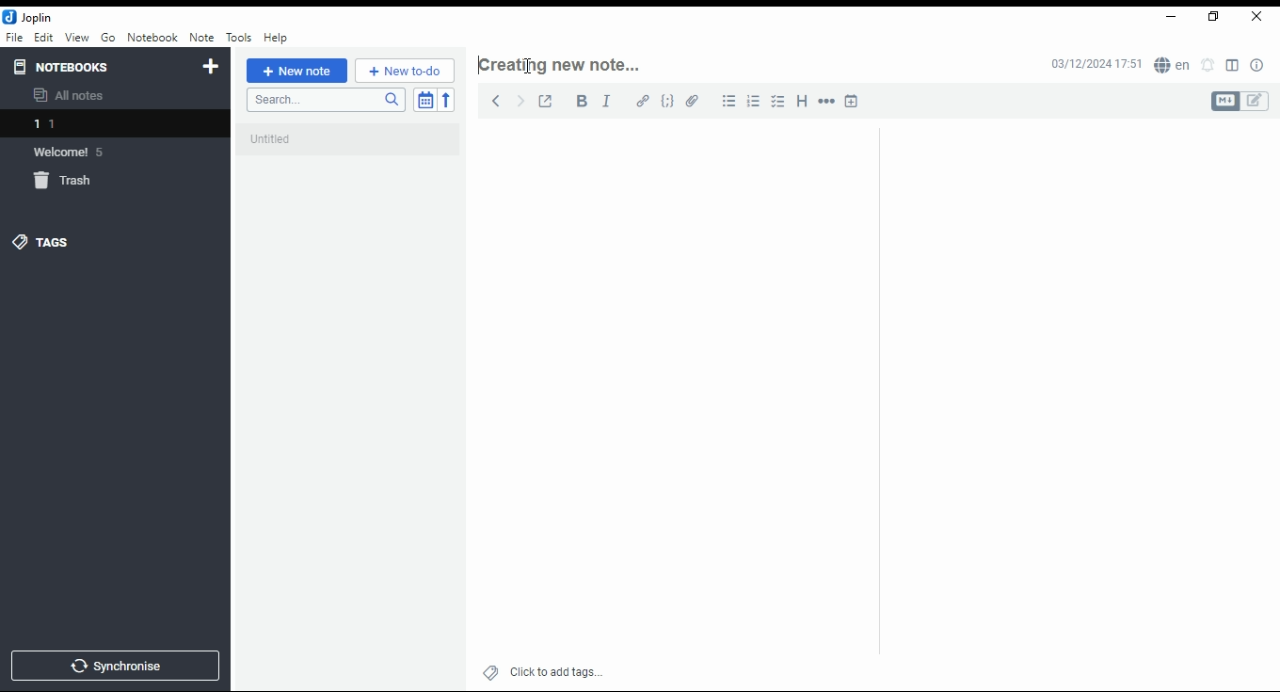 Image resolution: width=1280 pixels, height=692 pixels. What do you see at coordinates (324, 101) in the screenshot?
I see `search` at bounding box center [324, 101].